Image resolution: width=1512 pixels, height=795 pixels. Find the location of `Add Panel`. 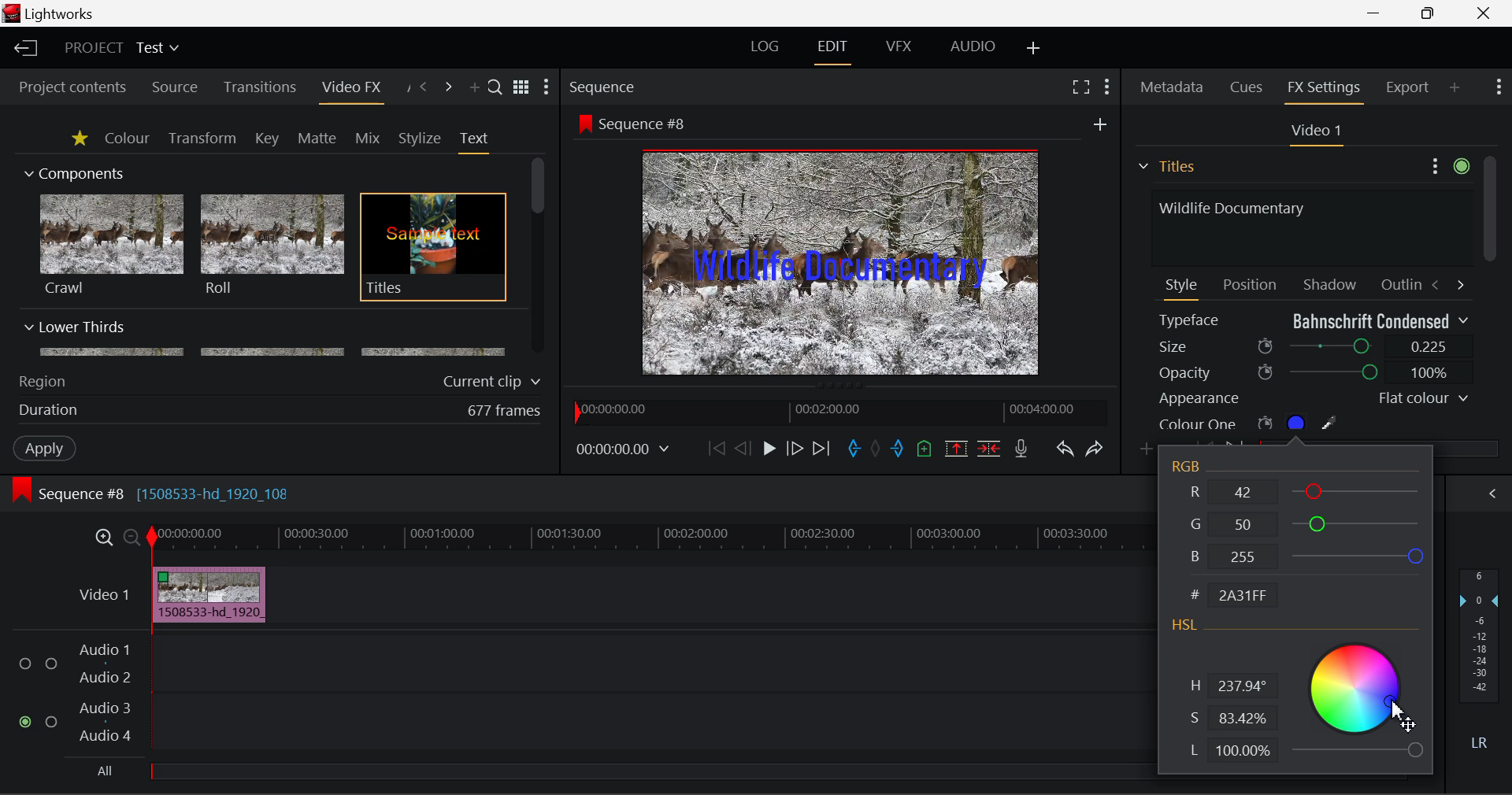

Add Panel is located at coordinates (1455, 87).